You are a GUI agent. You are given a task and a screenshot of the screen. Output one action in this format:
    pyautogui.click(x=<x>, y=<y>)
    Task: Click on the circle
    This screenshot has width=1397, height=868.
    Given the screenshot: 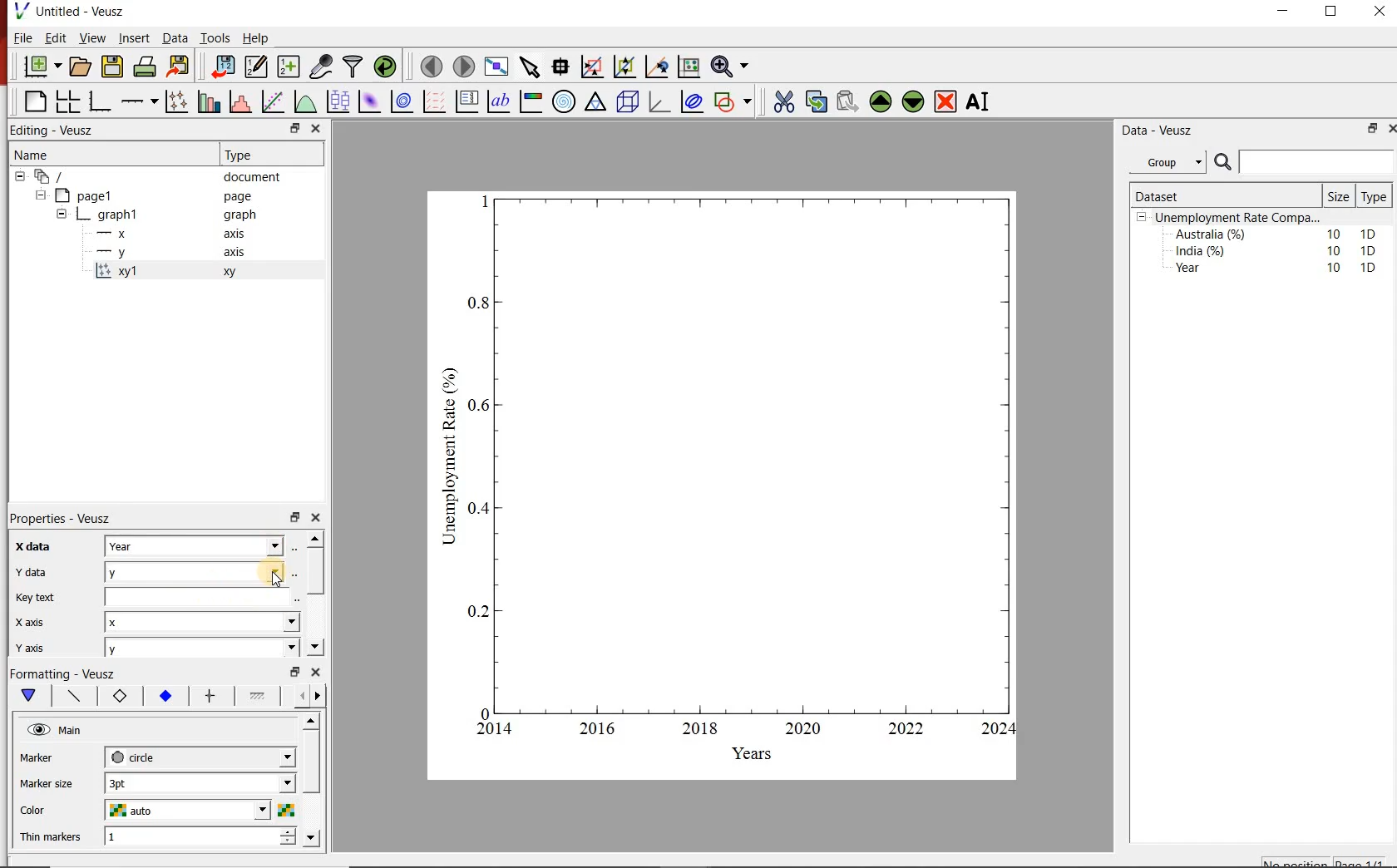 What is the action you would take?
    pyautogui.click(x=198, y=755)
    